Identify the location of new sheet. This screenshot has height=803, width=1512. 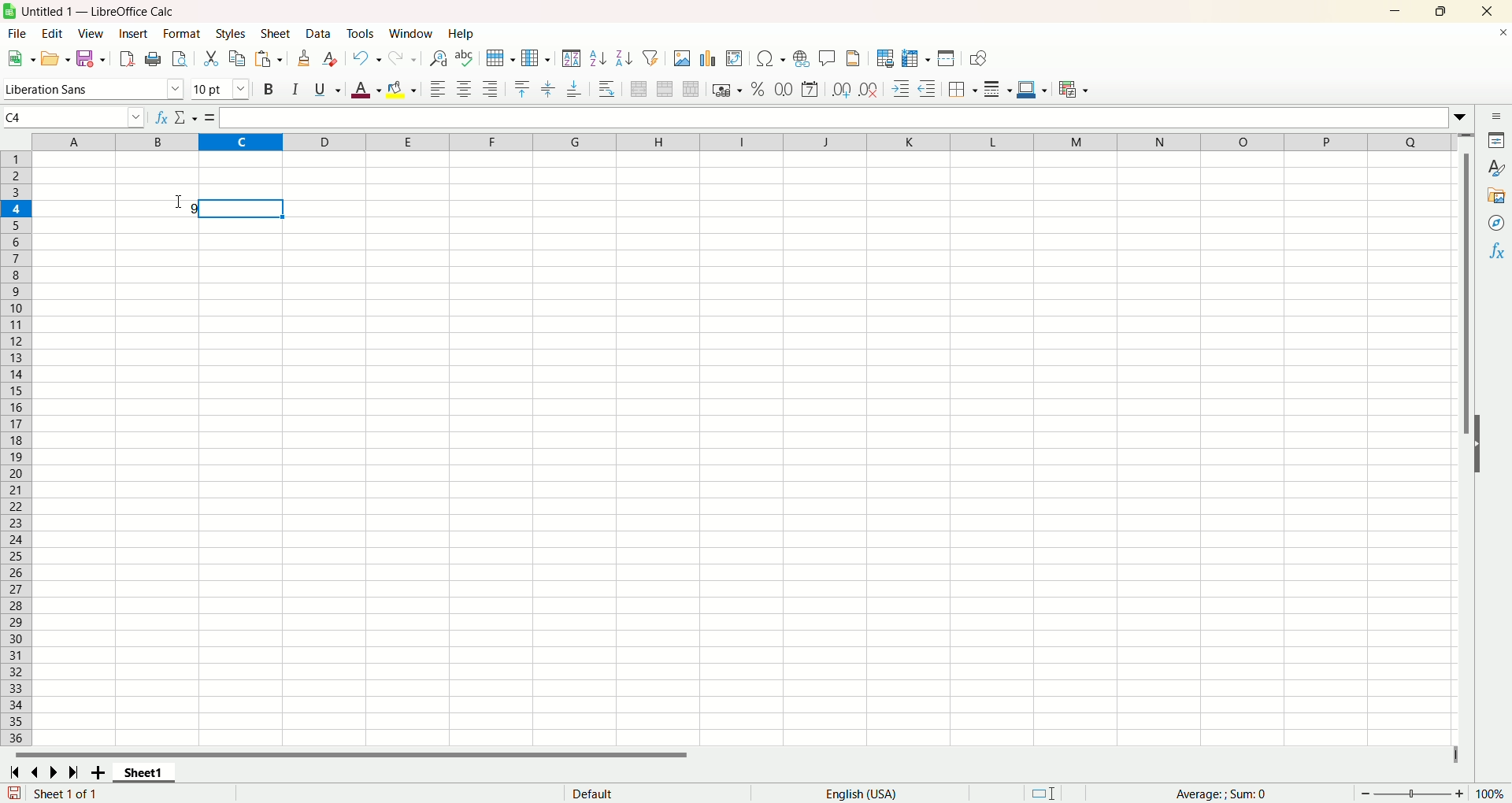
(101, 772).